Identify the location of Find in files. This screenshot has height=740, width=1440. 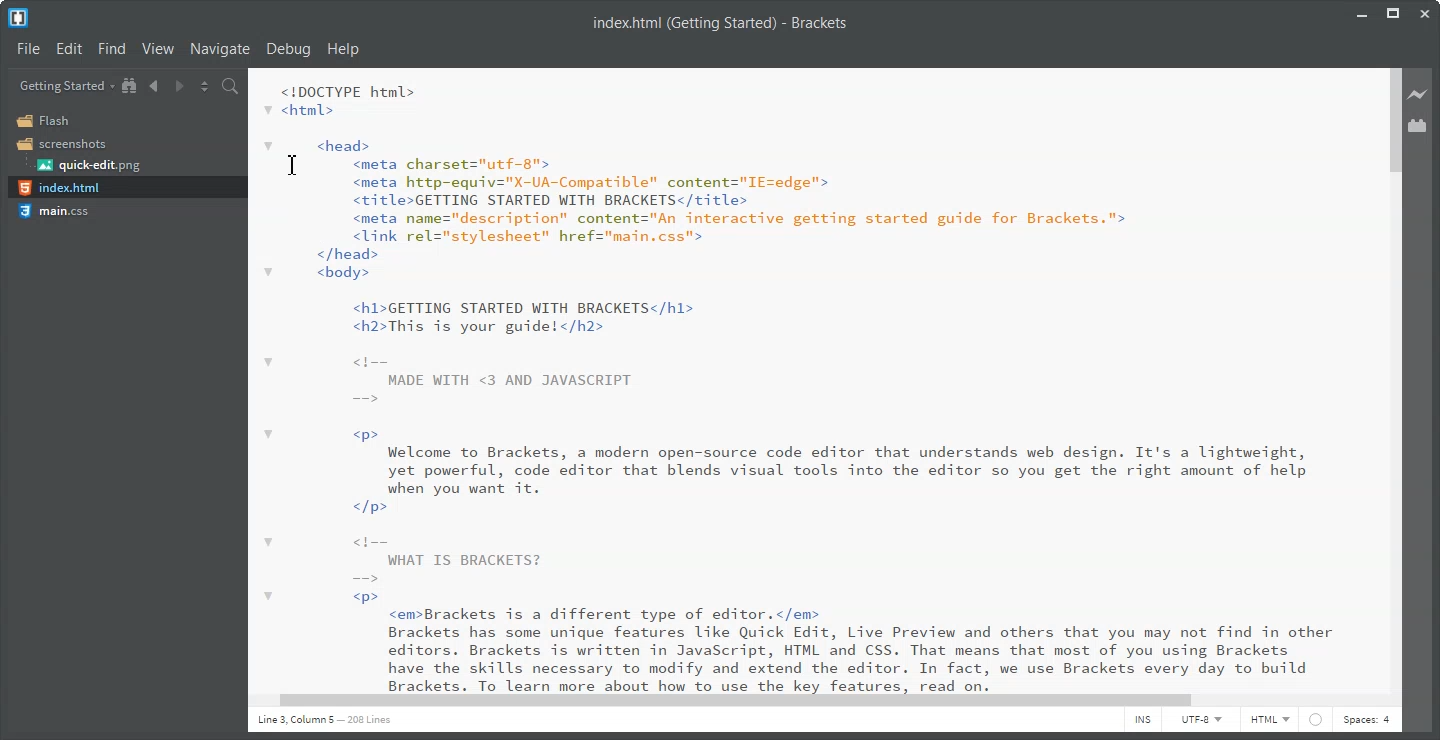
(230, 86).